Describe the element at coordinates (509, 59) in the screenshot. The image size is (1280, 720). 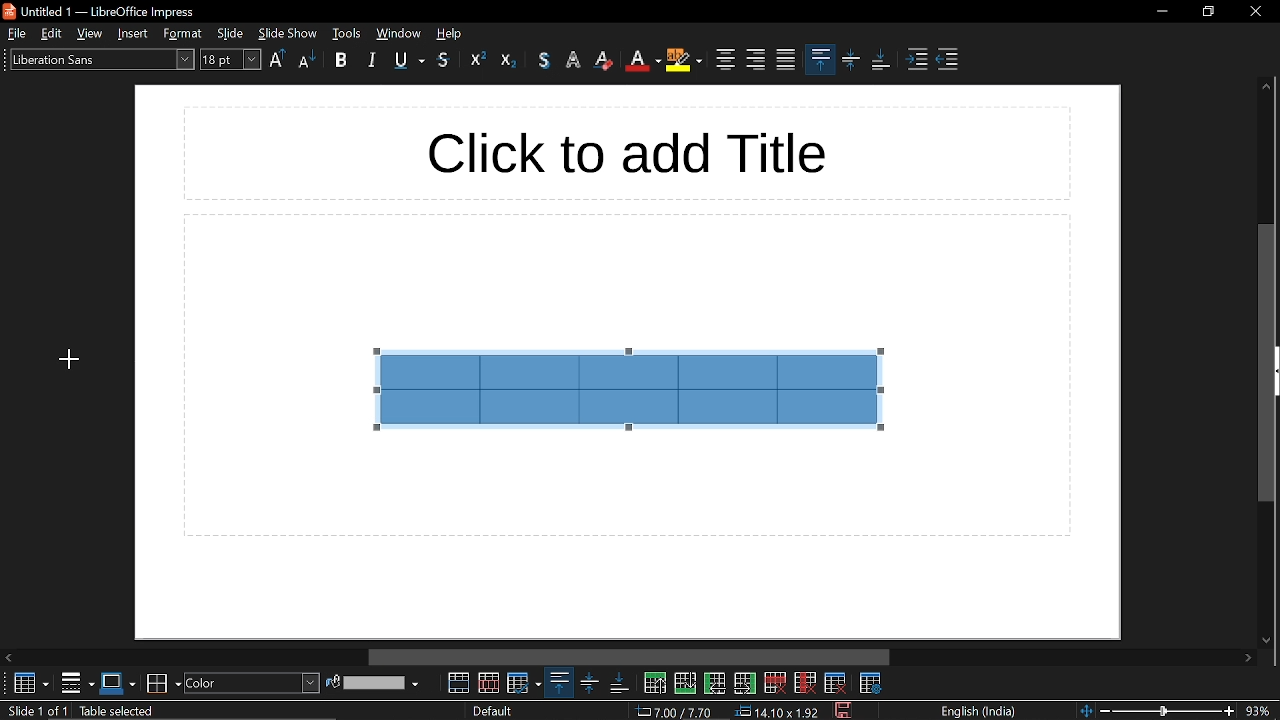
I see `eraser` at that location.